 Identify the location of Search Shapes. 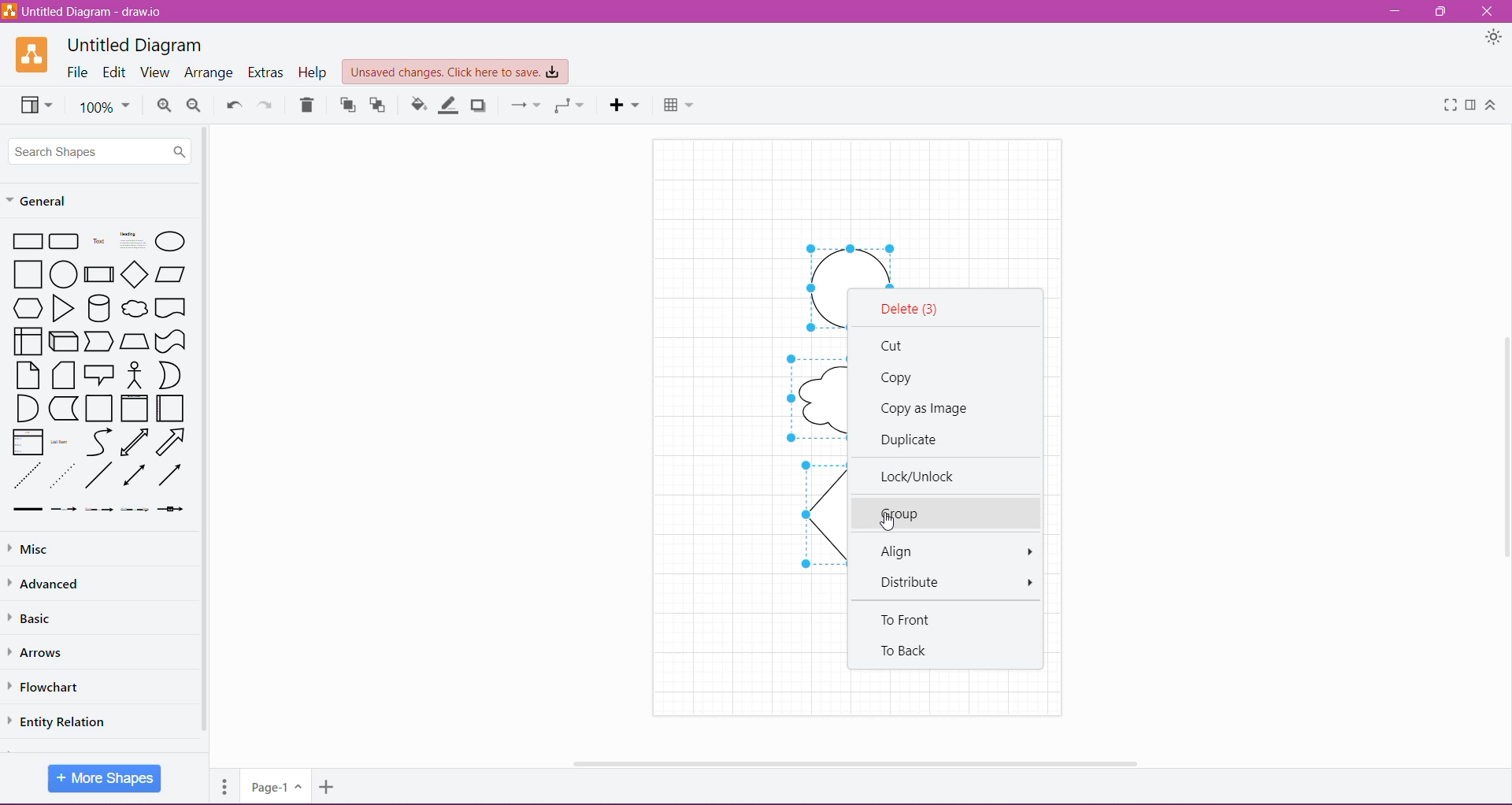
(101, 150).